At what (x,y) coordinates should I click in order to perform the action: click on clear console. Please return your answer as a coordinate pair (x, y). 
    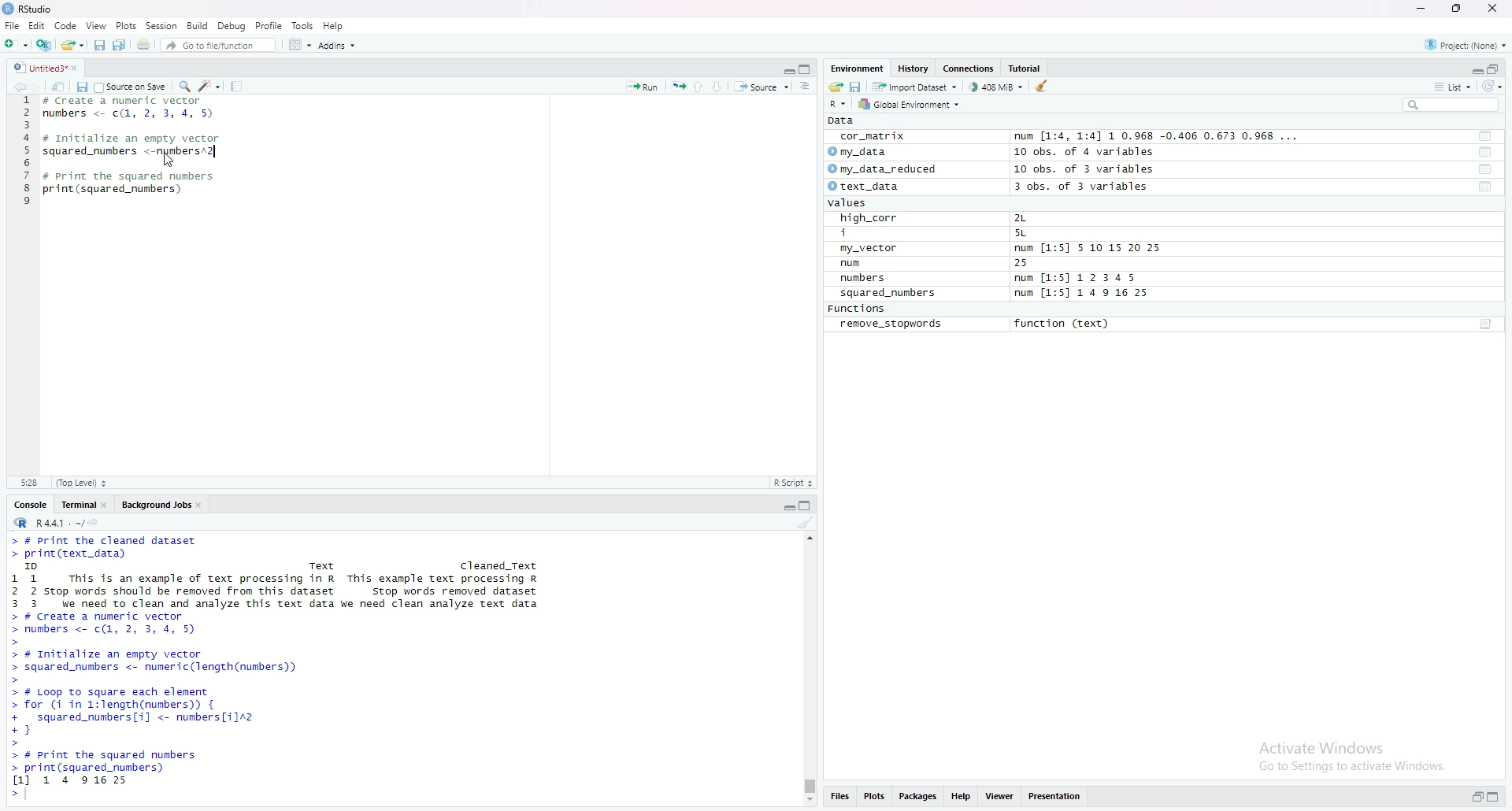
    Looking at the image, I should click on (806, 522).